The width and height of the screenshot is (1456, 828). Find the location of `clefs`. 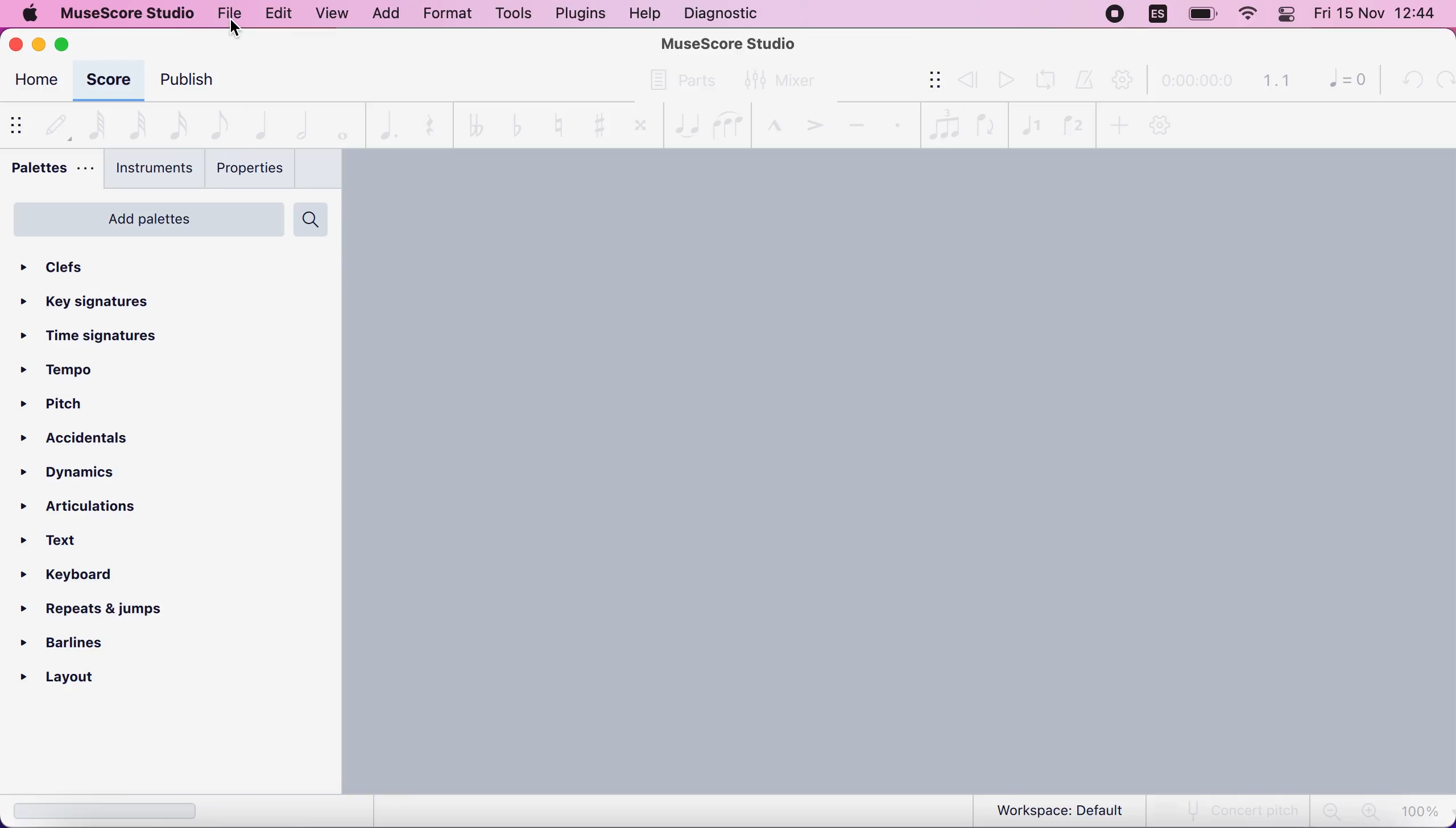

clefs is located at coordinates (99, 263).